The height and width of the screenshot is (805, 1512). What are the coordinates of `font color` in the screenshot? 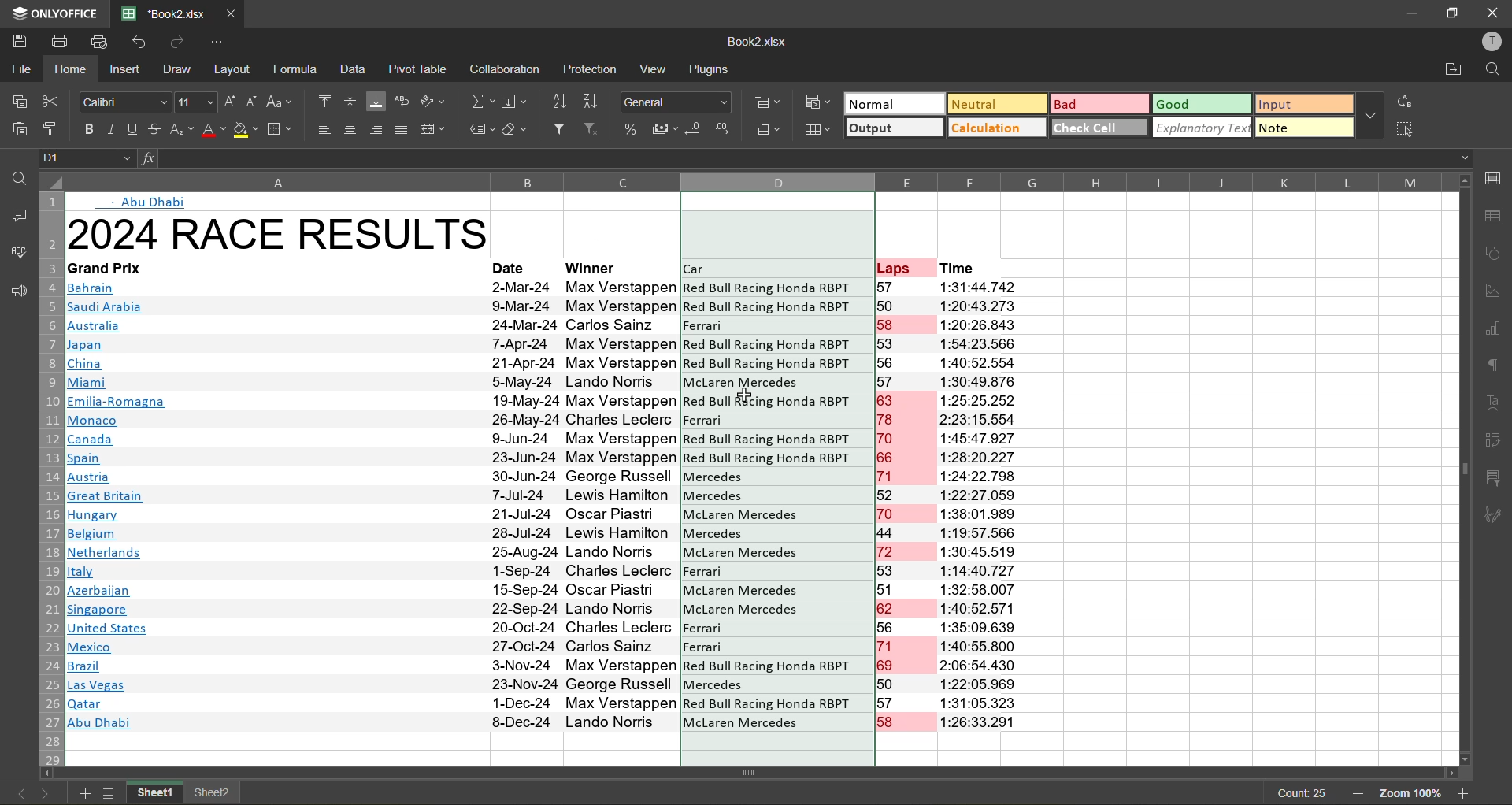 It's located at (213, 130).